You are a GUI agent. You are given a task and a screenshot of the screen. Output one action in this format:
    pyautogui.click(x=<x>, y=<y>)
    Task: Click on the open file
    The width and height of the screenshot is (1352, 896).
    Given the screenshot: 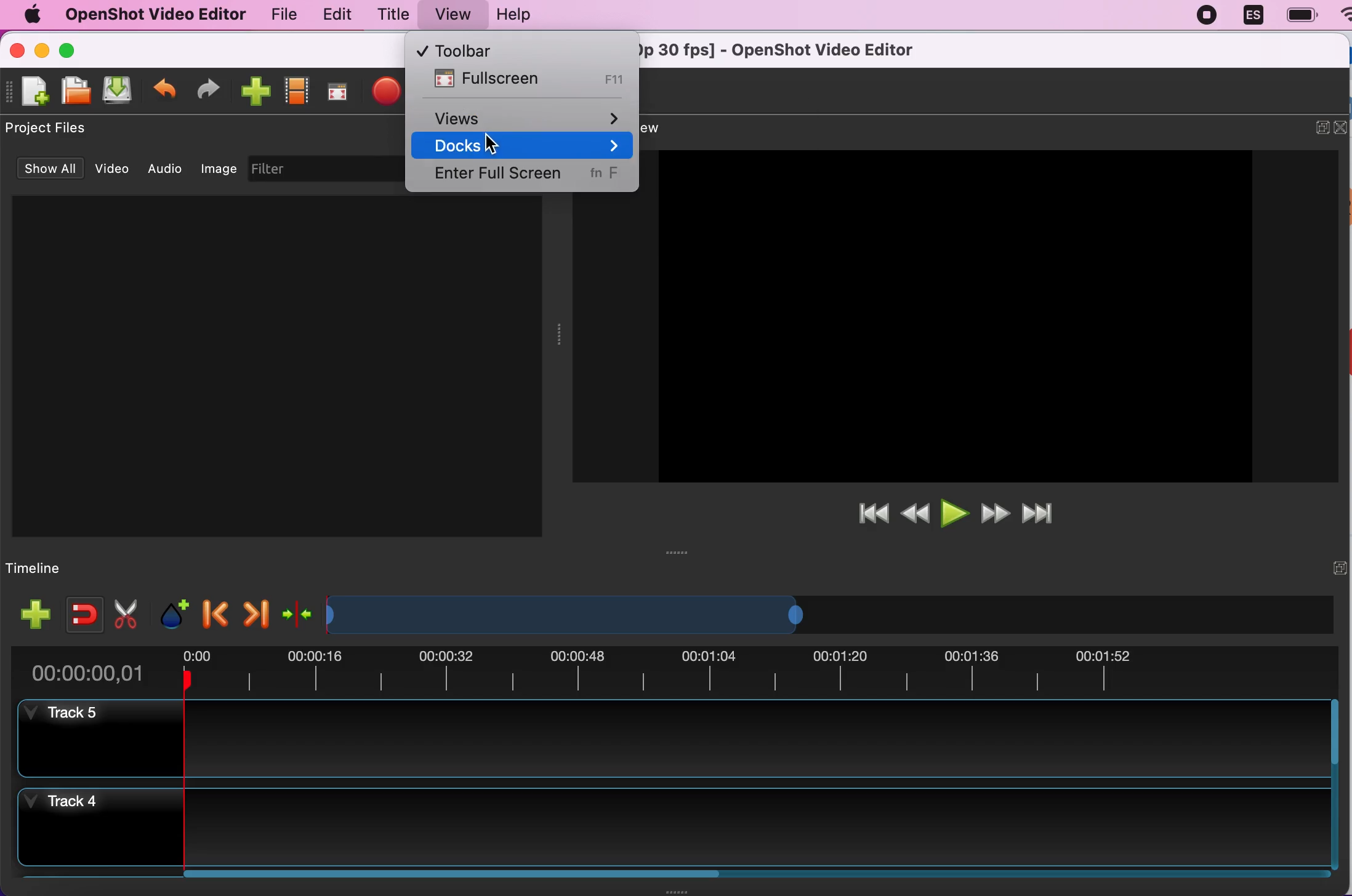 What is the action you would take?
    pyautogui.click(x=72, y=92)
    